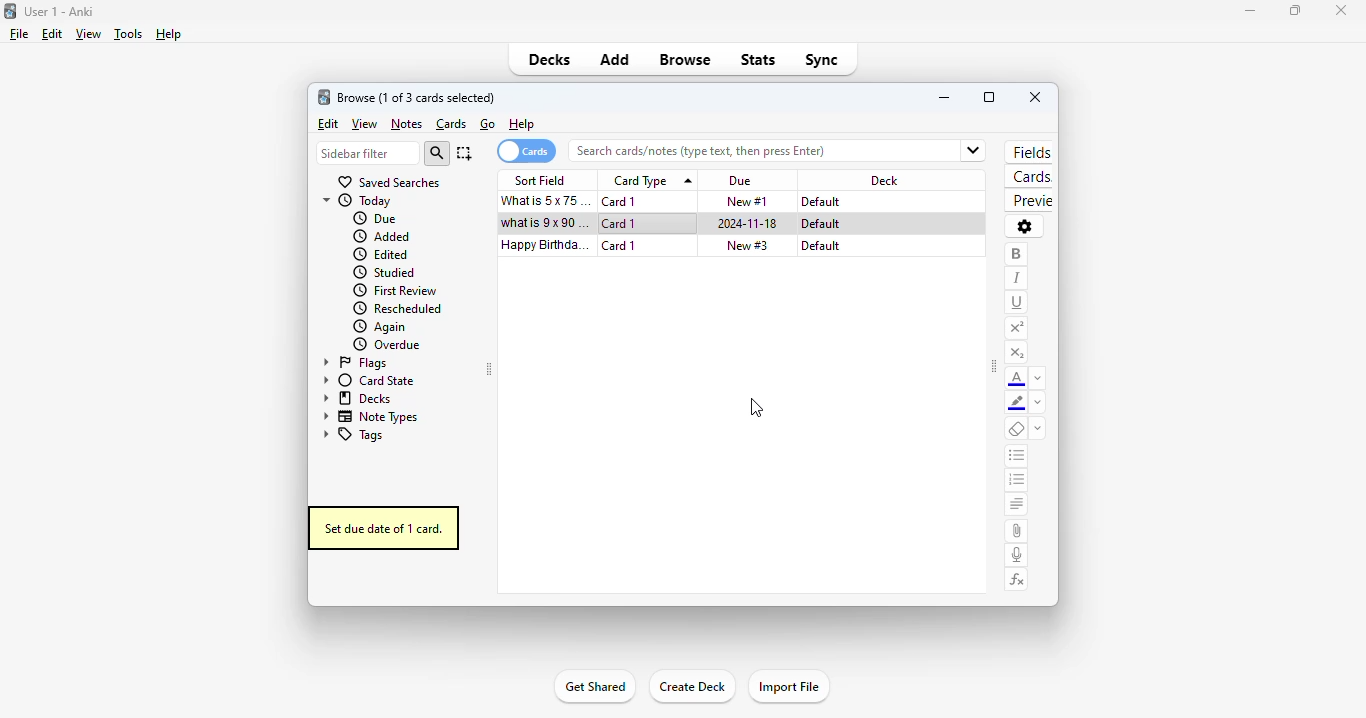 This screenshot has width=1366, height=718. What do you see at coordinates (548, 200) in the screenshot?
I see `what is 5x75=?` at bounding box center [548, 200].